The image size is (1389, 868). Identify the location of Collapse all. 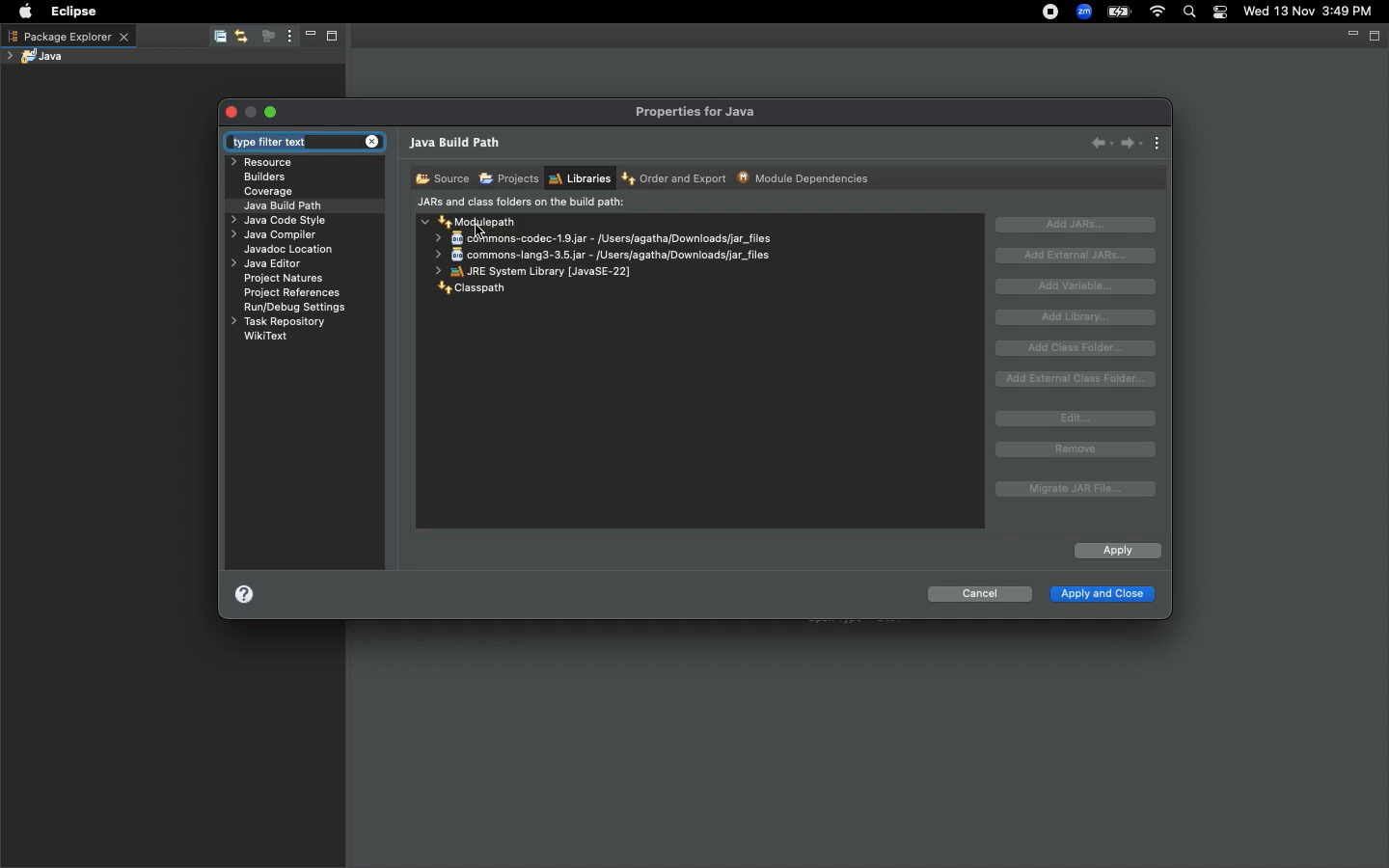
(218, 38).